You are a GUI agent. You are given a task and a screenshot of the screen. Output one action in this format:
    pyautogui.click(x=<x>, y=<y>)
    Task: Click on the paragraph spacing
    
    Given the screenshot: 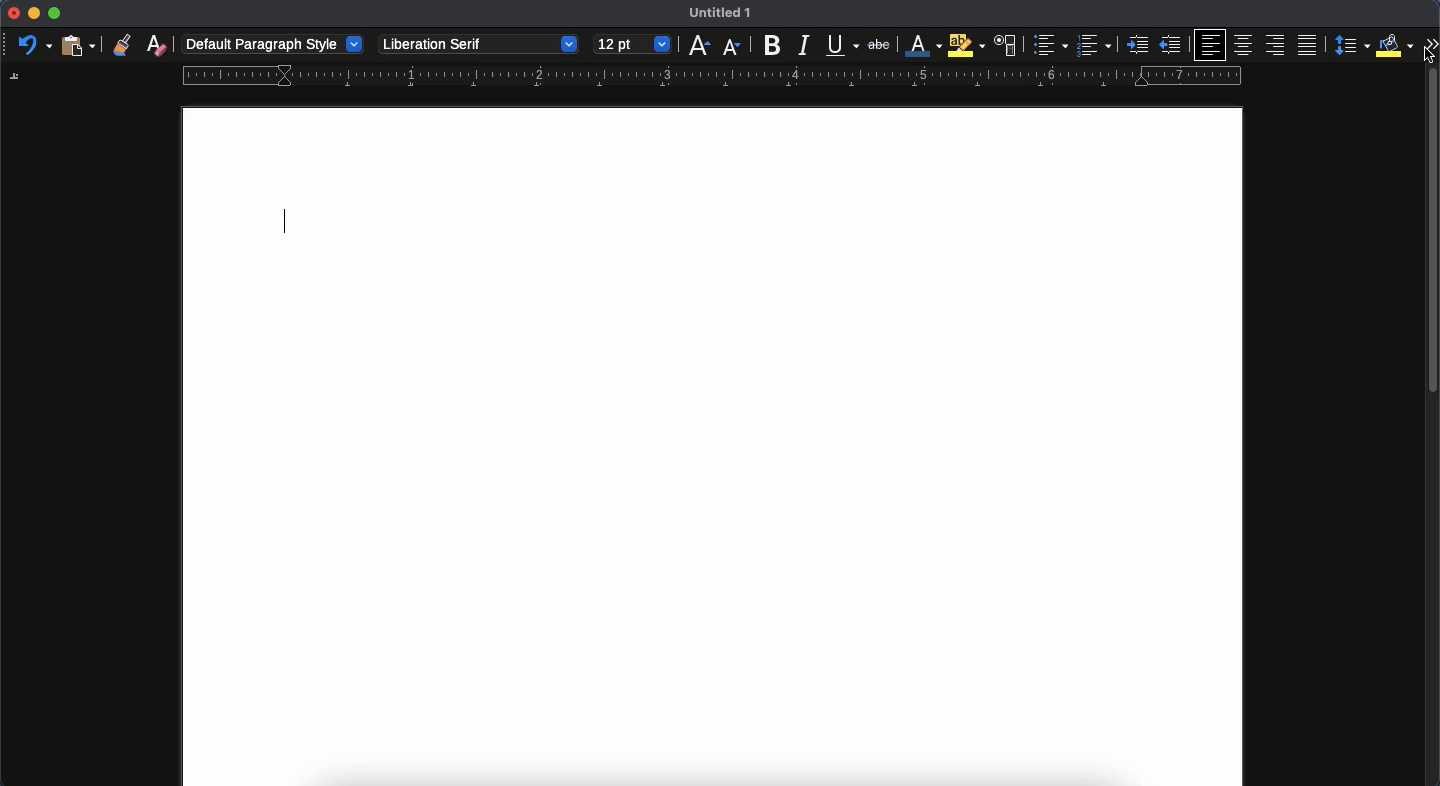 What is the action you would take?
    pyautogui.click(x=1348, y=45)
    